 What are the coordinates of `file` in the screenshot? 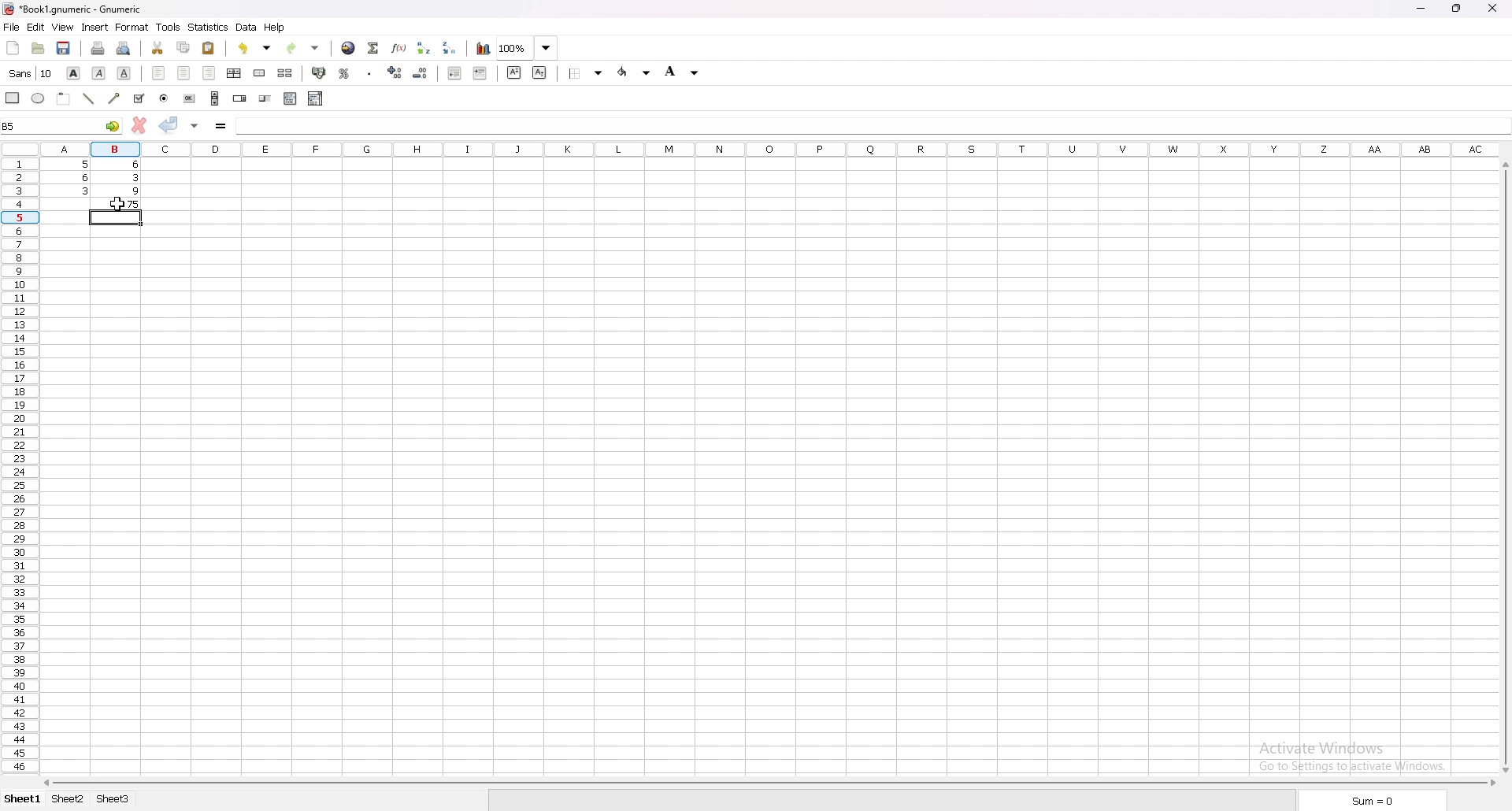 It's located at (12, 27).